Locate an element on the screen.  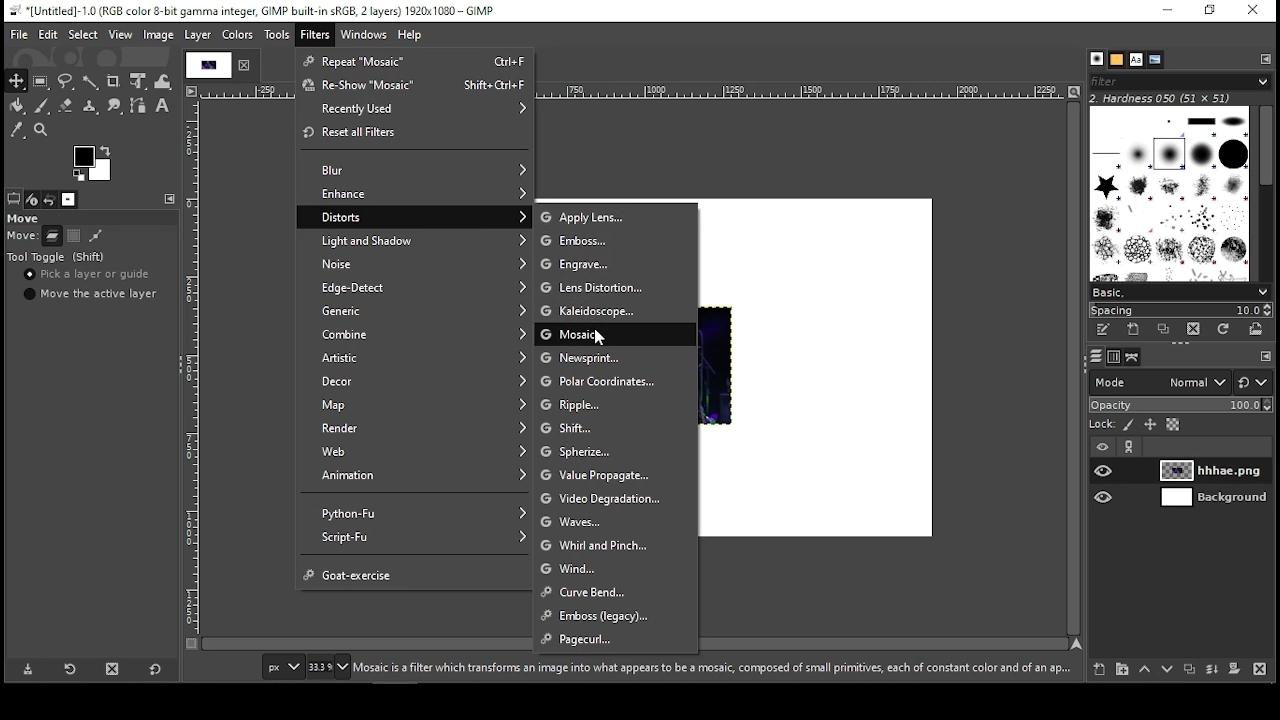
create a new brush is located at coordinates (1132, 329).